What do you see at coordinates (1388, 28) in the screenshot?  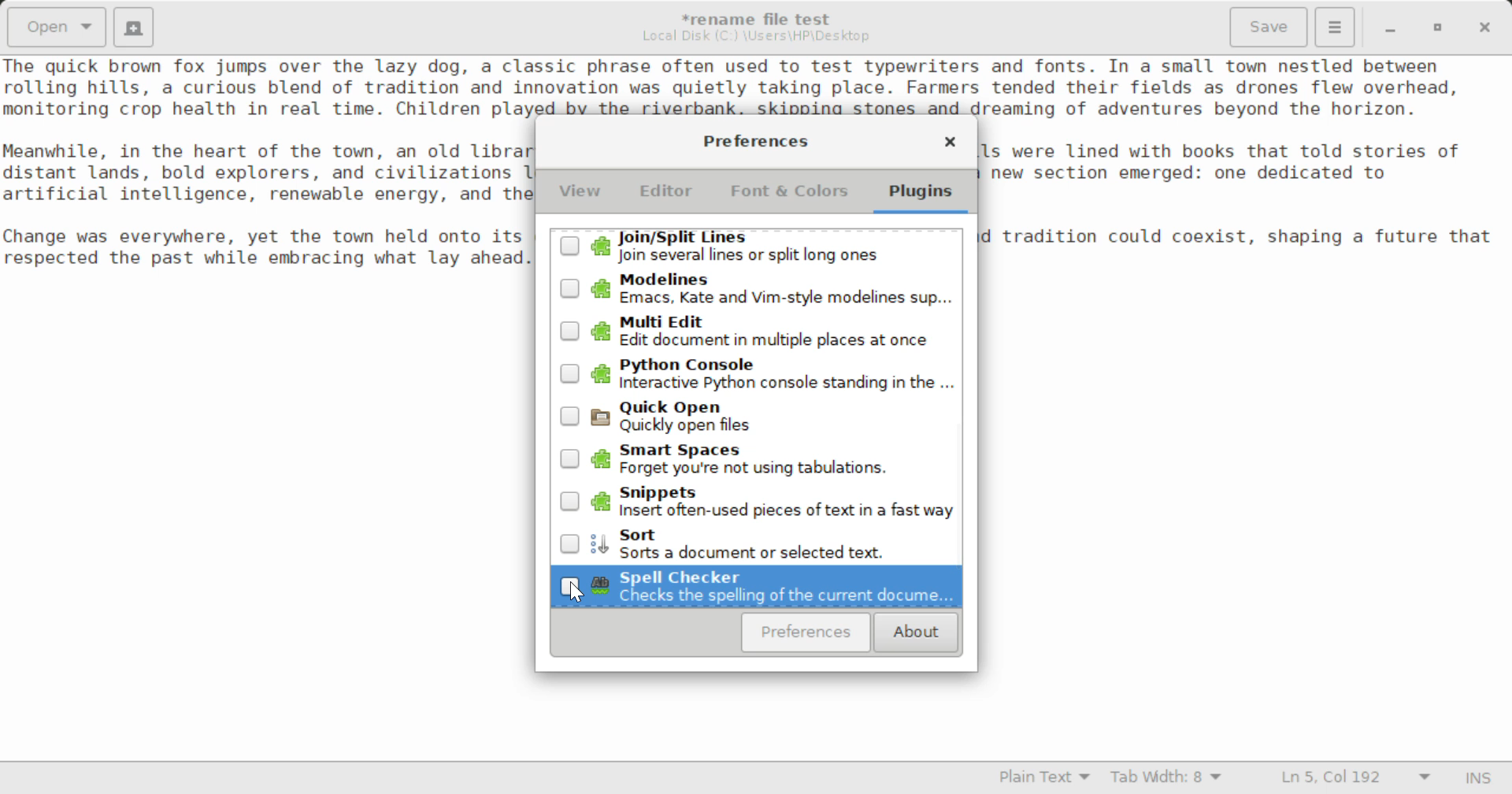 I see `Restore Down` at bounding box center [1388, 28].